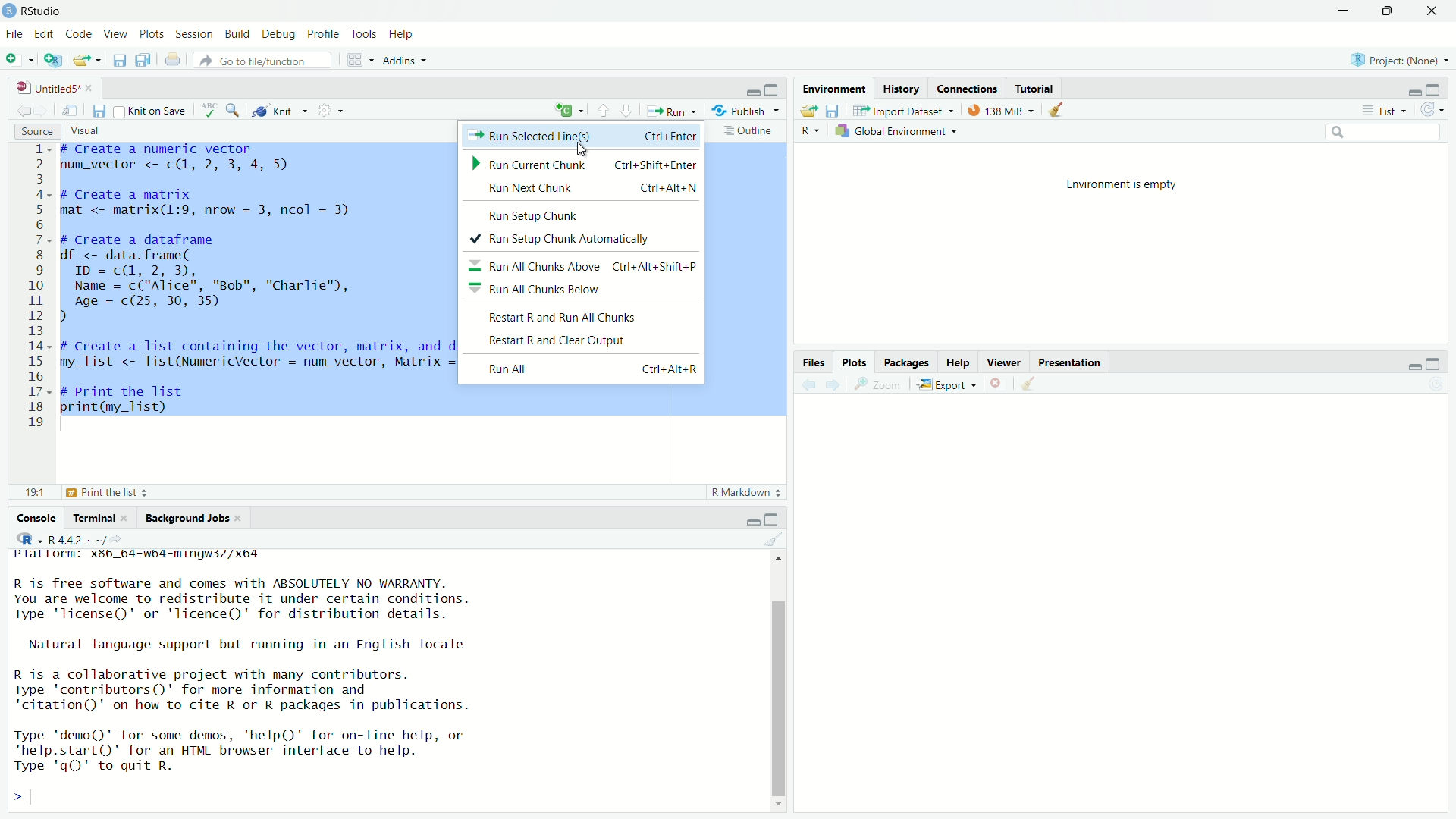  Describe the element at coordinates (540, 215) in the screenshot. I see `Run Setup Chunk` at that location.